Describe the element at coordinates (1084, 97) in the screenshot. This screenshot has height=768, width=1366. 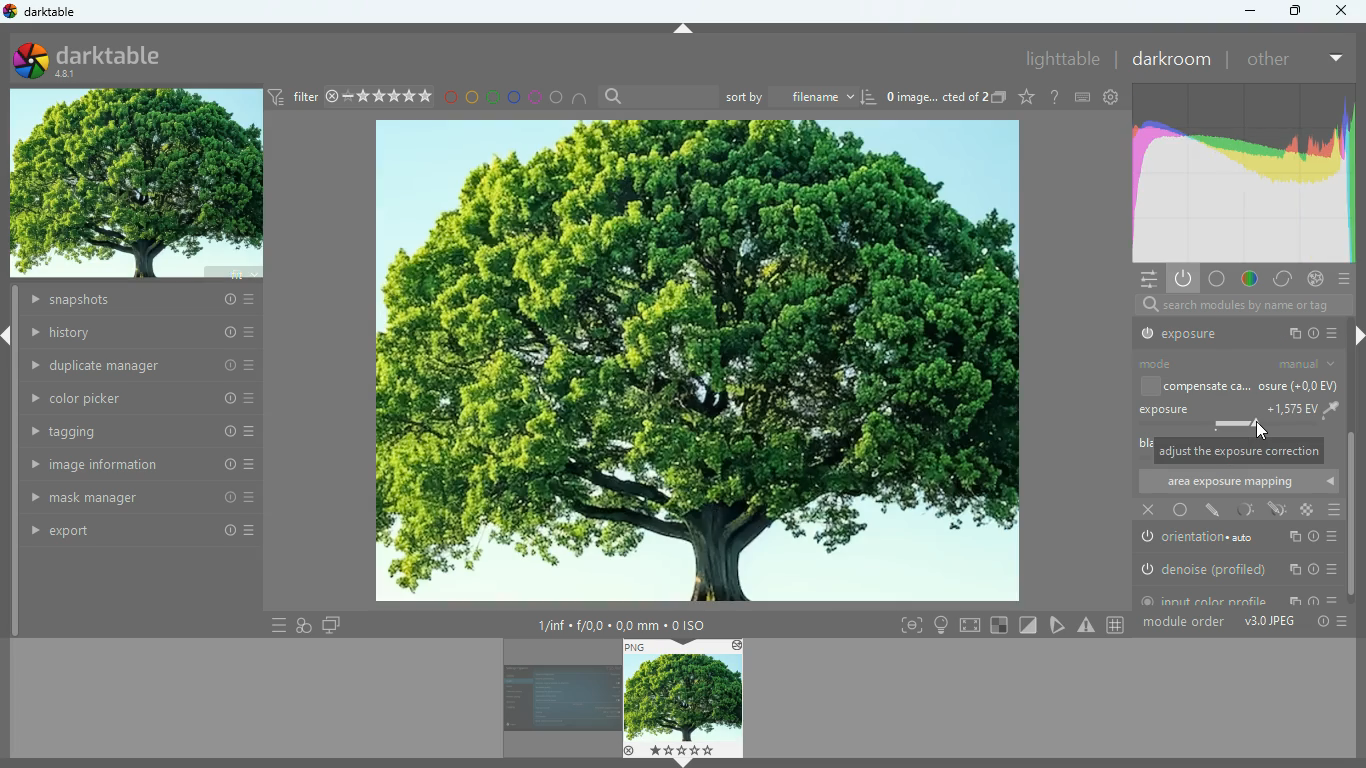
I see `keyboard` at that location.